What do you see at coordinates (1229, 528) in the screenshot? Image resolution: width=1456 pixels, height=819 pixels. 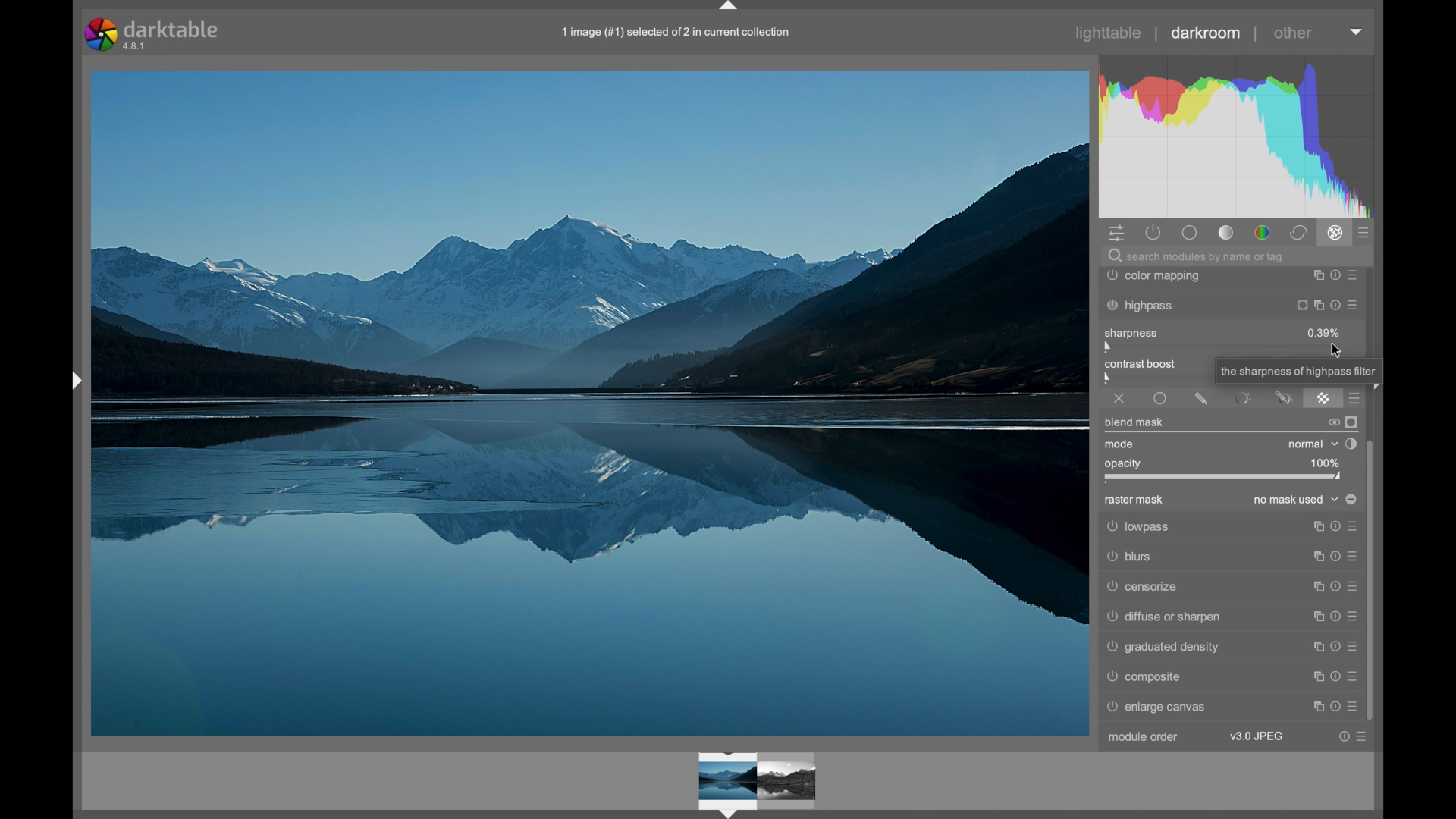 I see `lowpass` at bounding box center [1229, 528].